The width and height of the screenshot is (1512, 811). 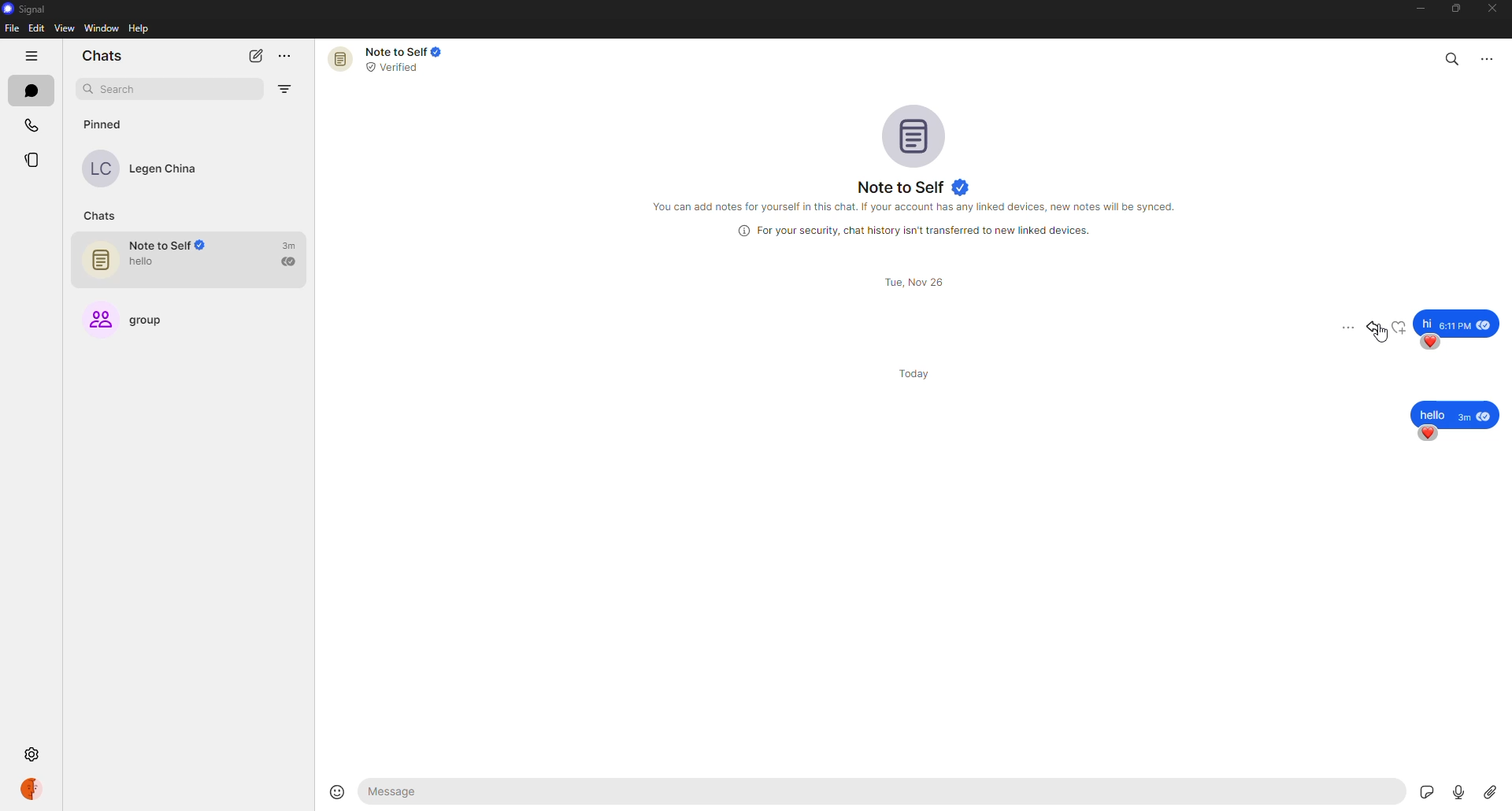 I want to click on stories, so click(x=34, y=158).